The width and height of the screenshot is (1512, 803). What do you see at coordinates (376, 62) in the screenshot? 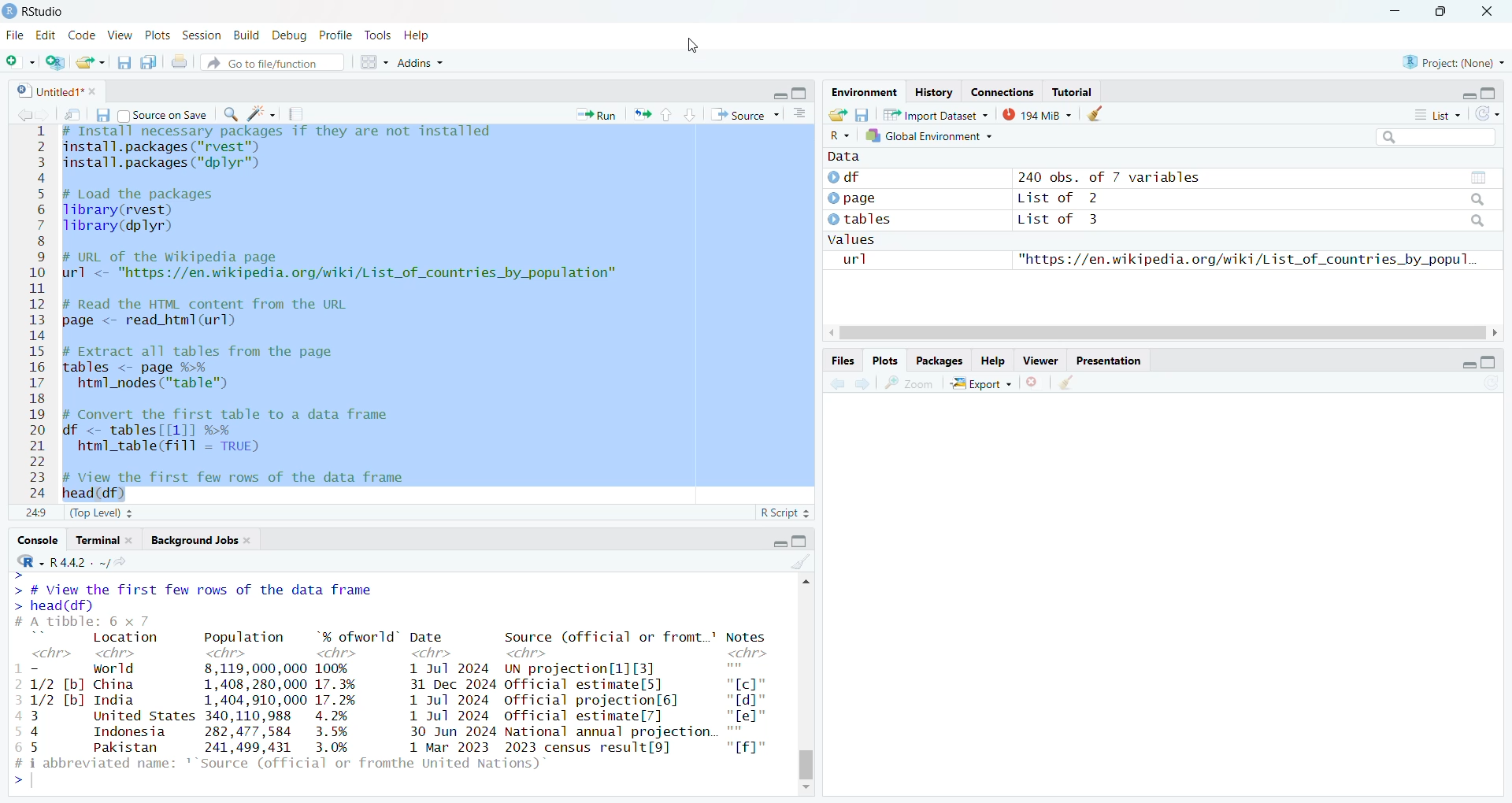
I see `options` at bounding box center [376, 62].